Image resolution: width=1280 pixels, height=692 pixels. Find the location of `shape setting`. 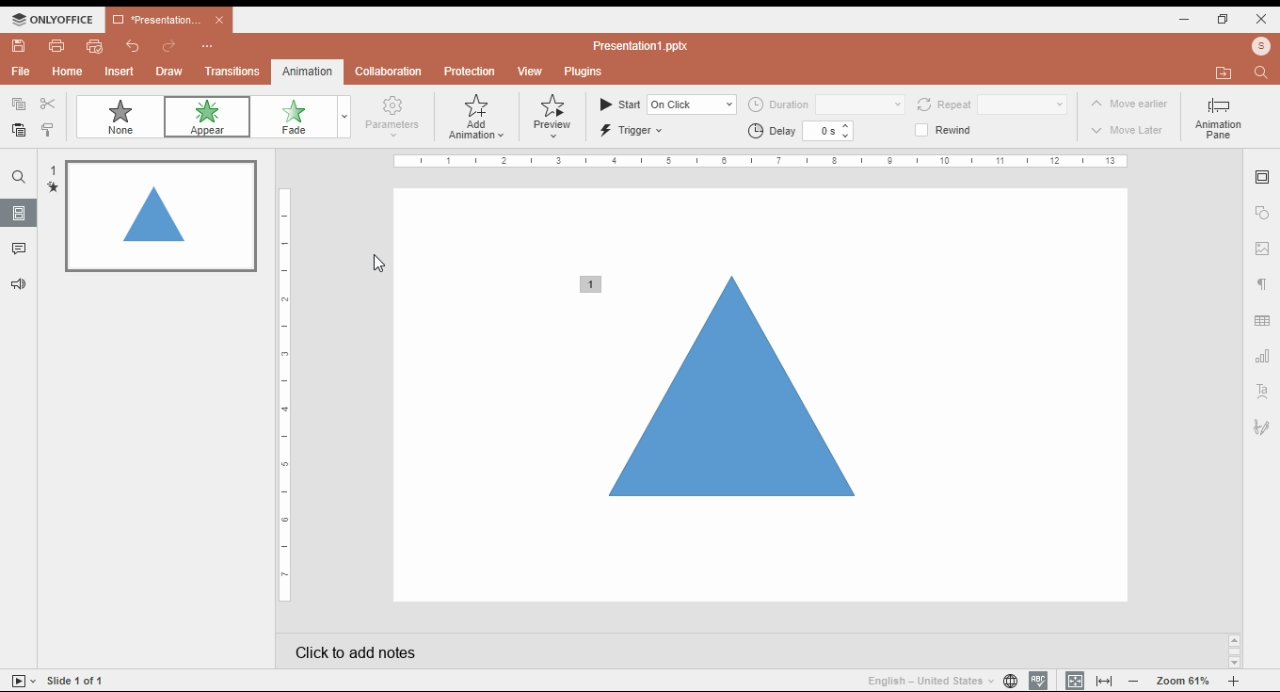

shape setting is located at coordinates (1262, 212).